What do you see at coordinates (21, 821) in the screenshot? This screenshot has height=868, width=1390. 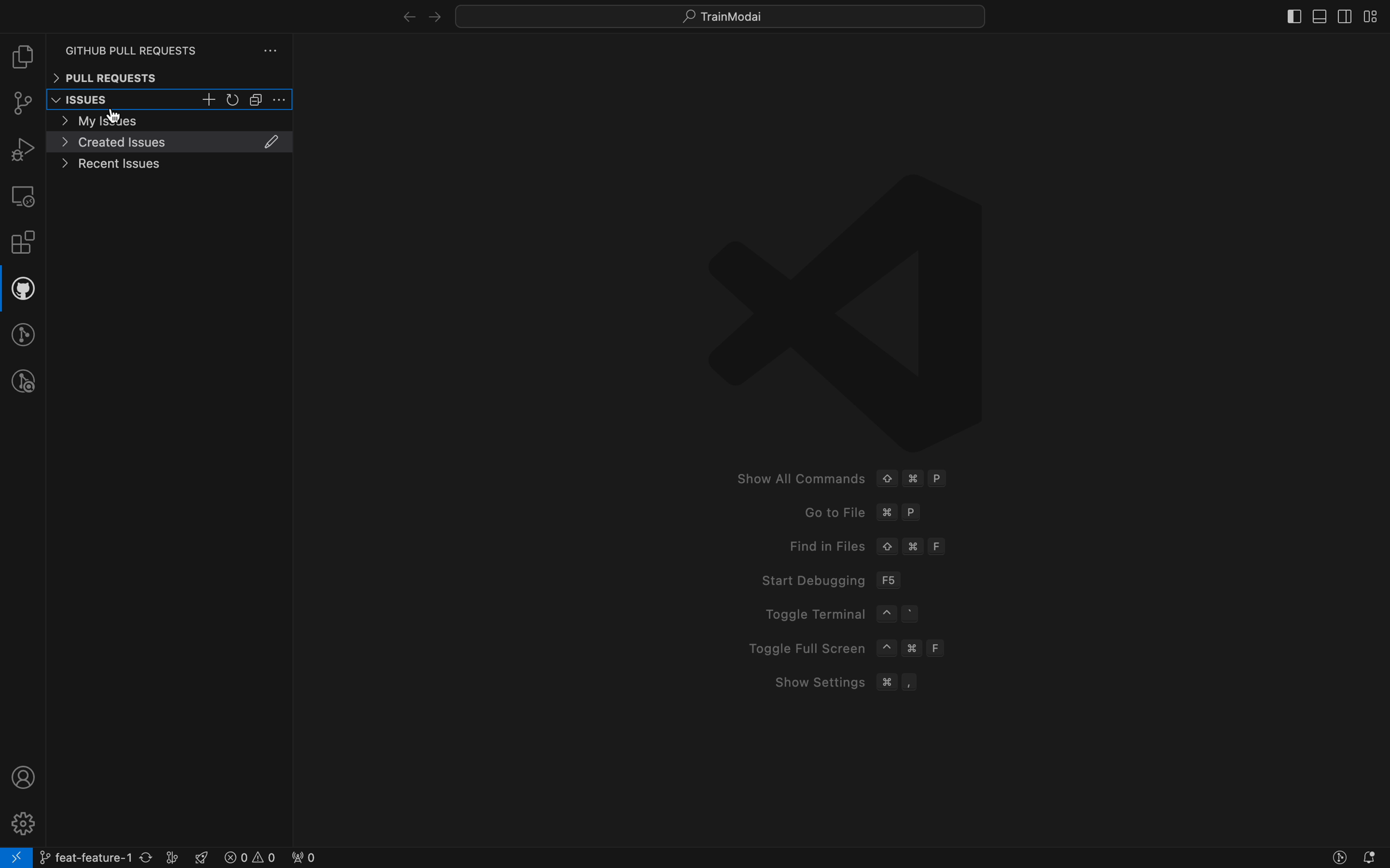 I see `settings` at bounding box center [21, 821].